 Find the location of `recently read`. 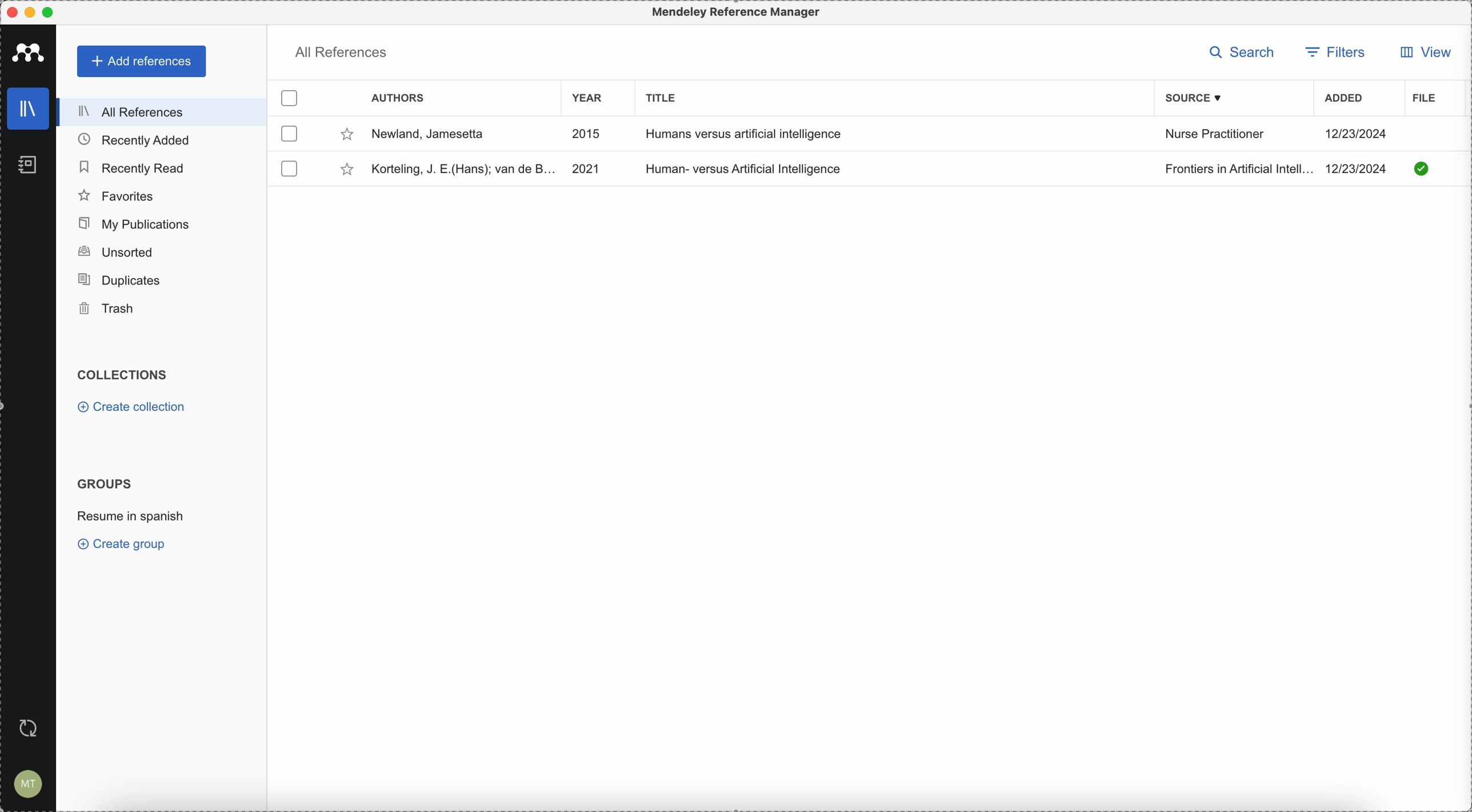

recently read is located at coordinates (135, 167).